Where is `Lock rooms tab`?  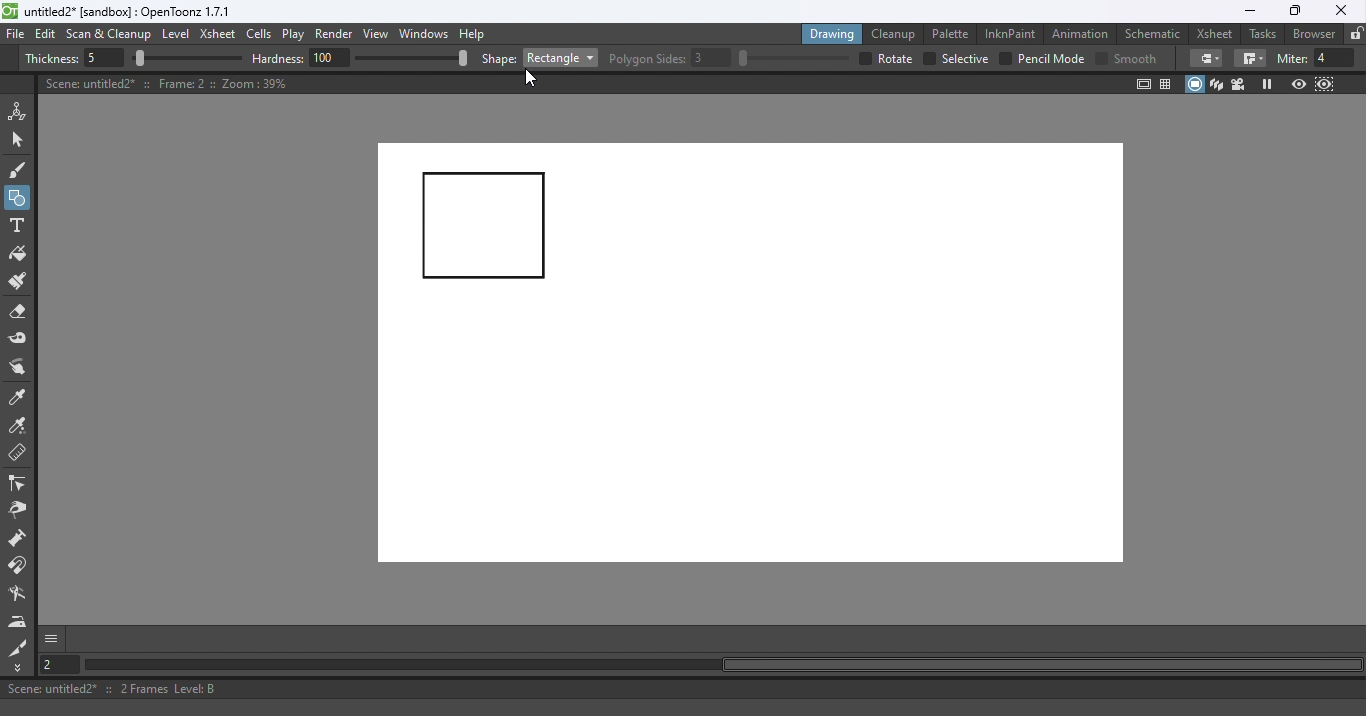
Lock rooms tab is located at coordinates (1356, 35).